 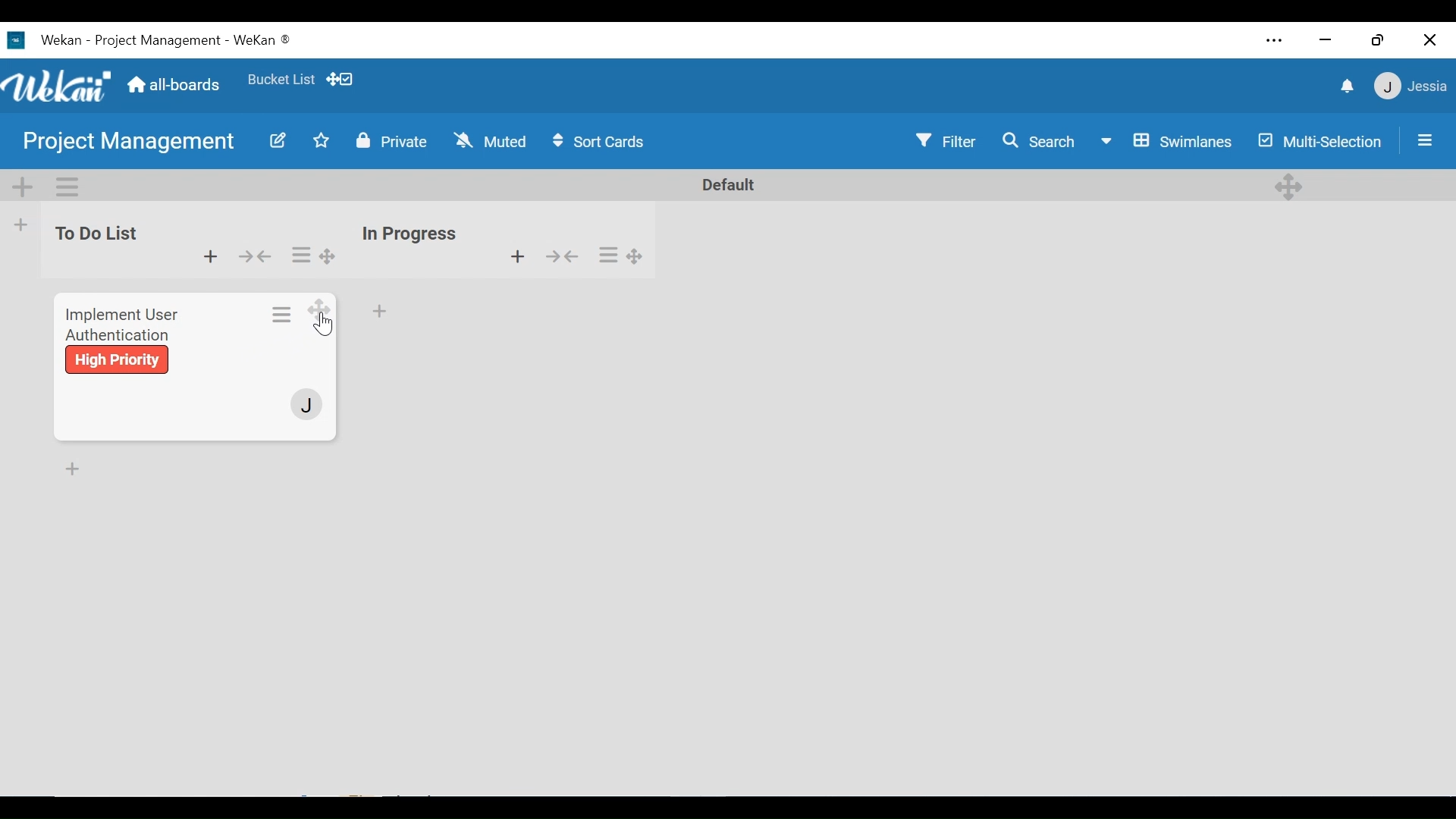 I want to click on collapse, so click(x=561, y=256).